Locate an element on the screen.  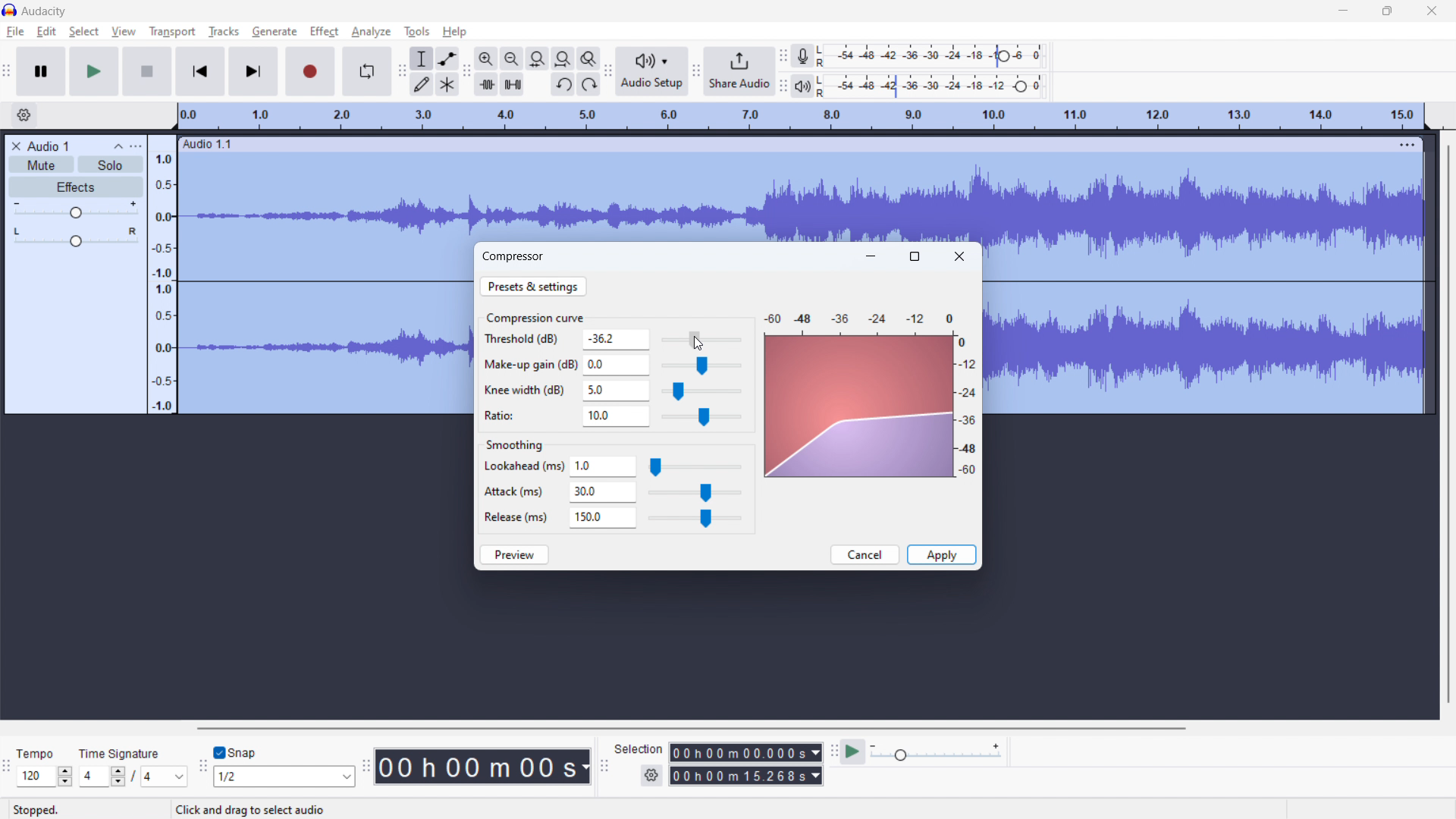
Audacity (title) is located at coordinates (49, 10).